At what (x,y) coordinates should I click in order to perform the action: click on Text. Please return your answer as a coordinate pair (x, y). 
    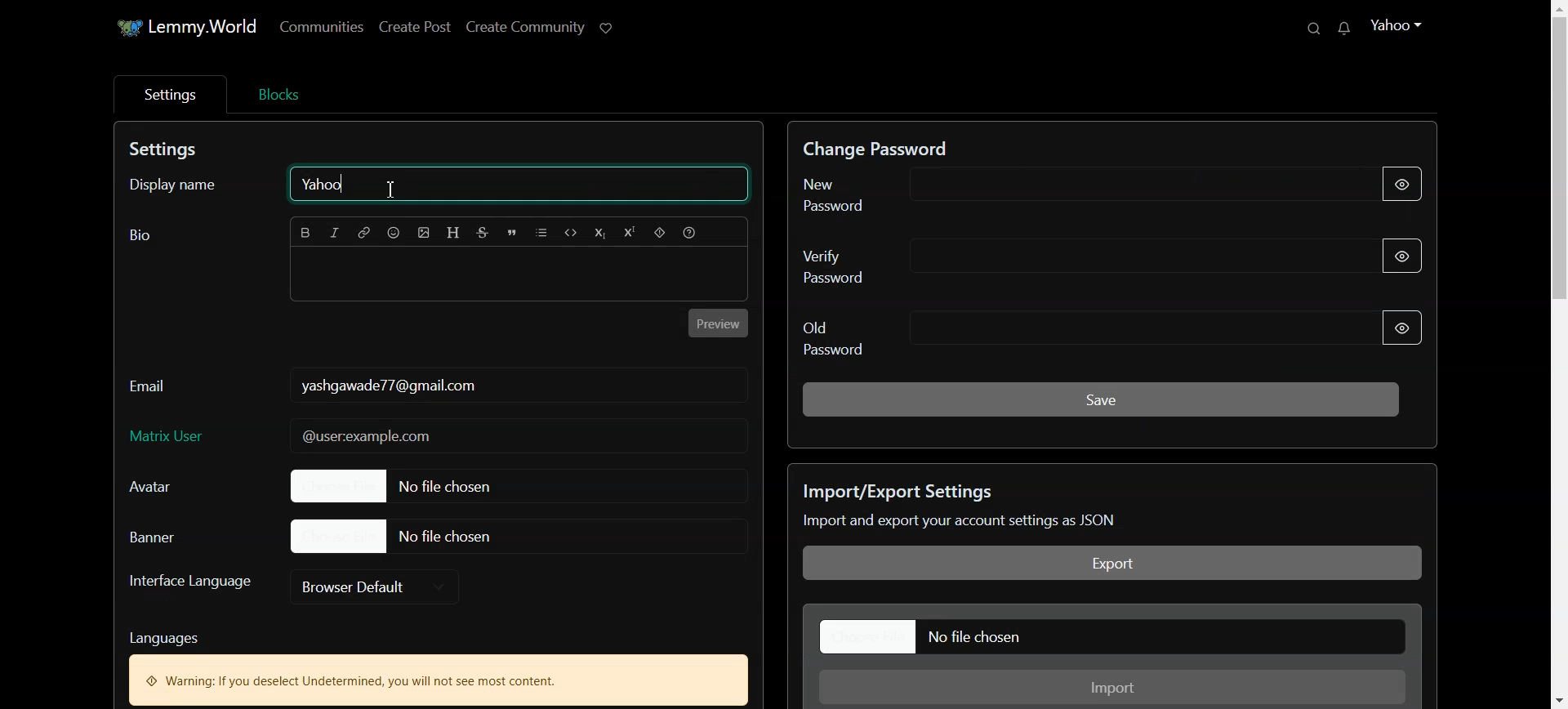
    Looking at the image, I should click on (167, 151).